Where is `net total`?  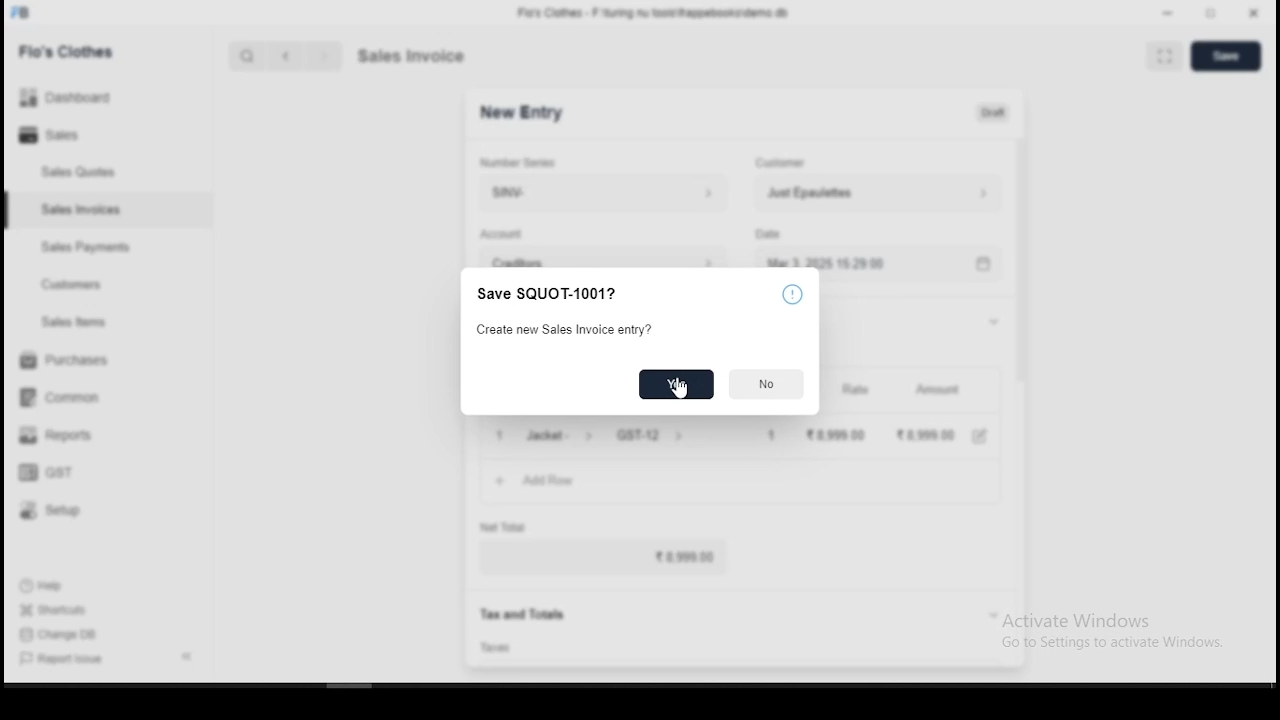
net total is located at coordinates (516, 523).